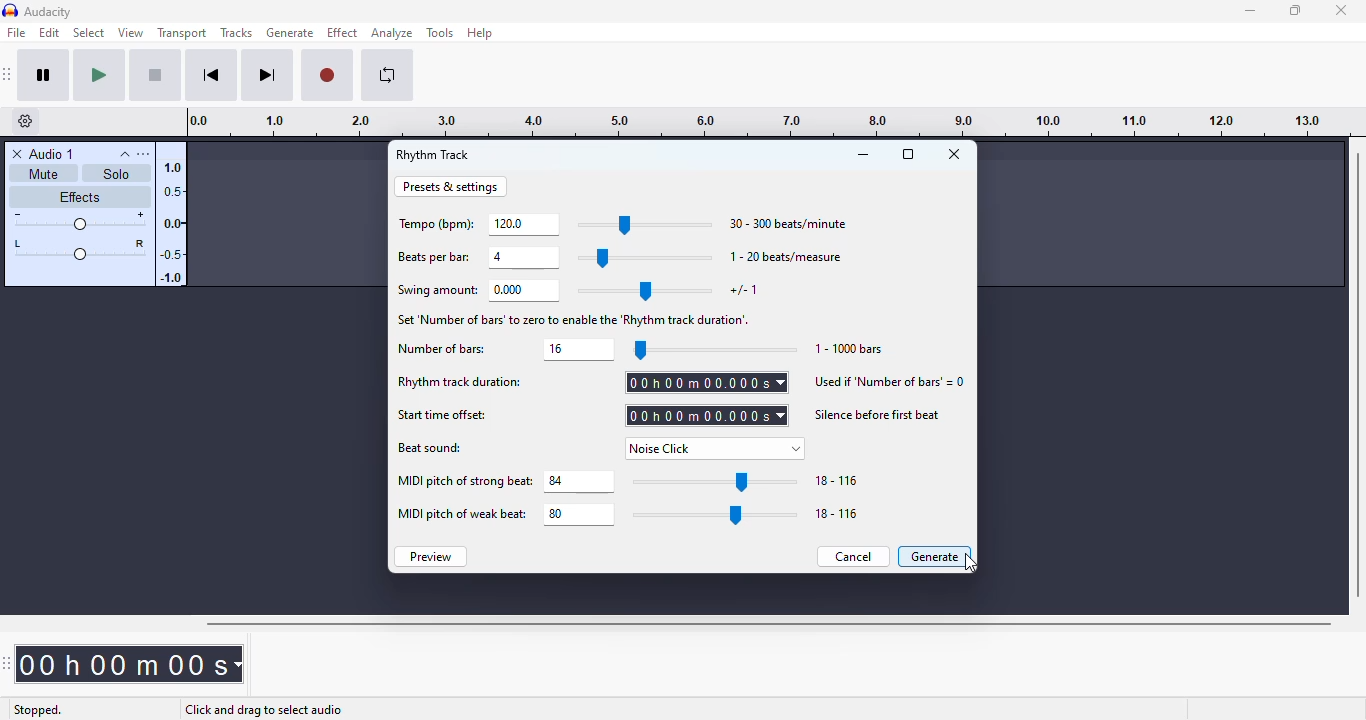 The height and width of the screenshot is (720, 1366). I want to click on tracks, so click(236, 32).